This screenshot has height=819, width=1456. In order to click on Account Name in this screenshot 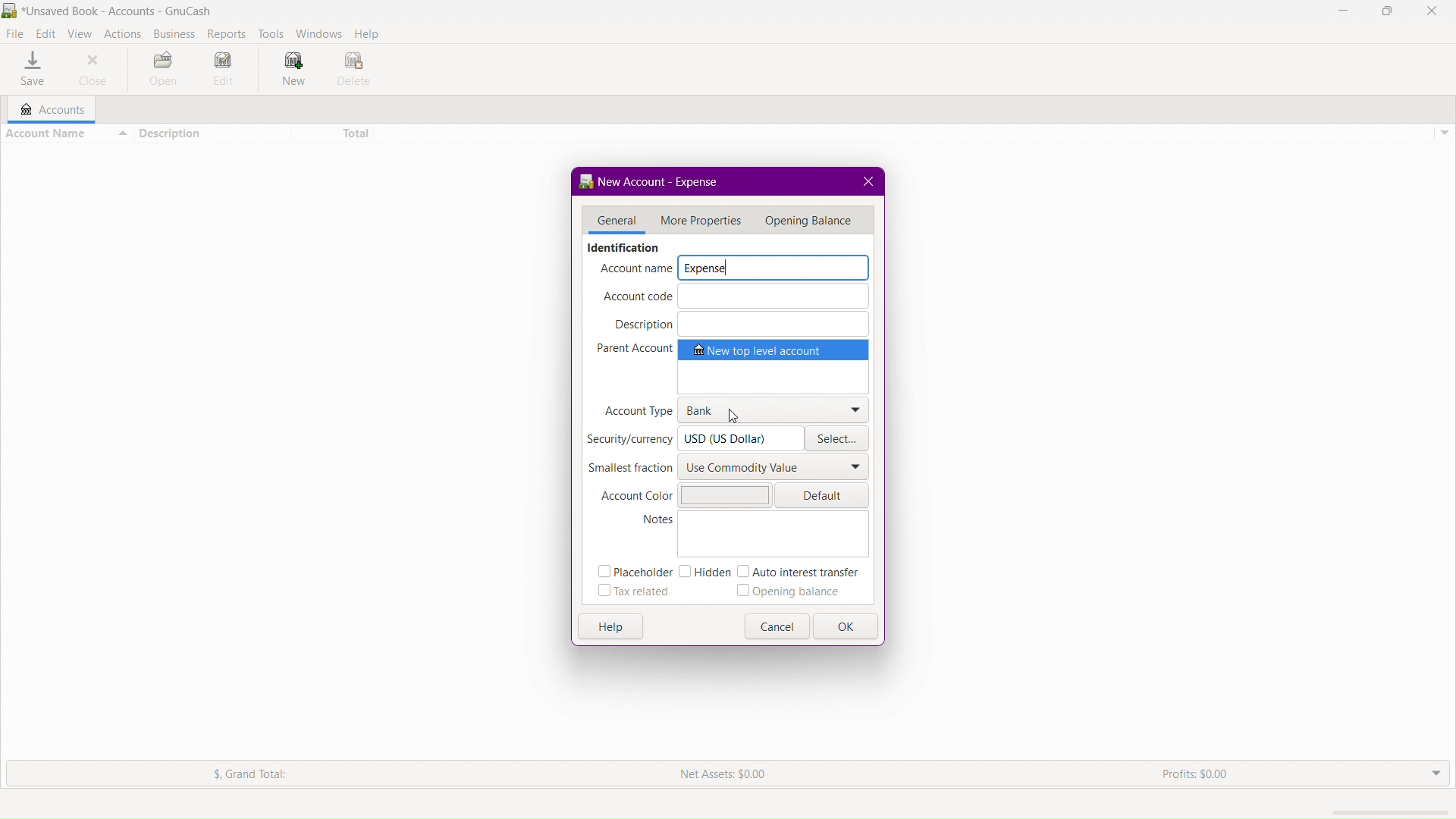, I will do `click(634, 270)`.